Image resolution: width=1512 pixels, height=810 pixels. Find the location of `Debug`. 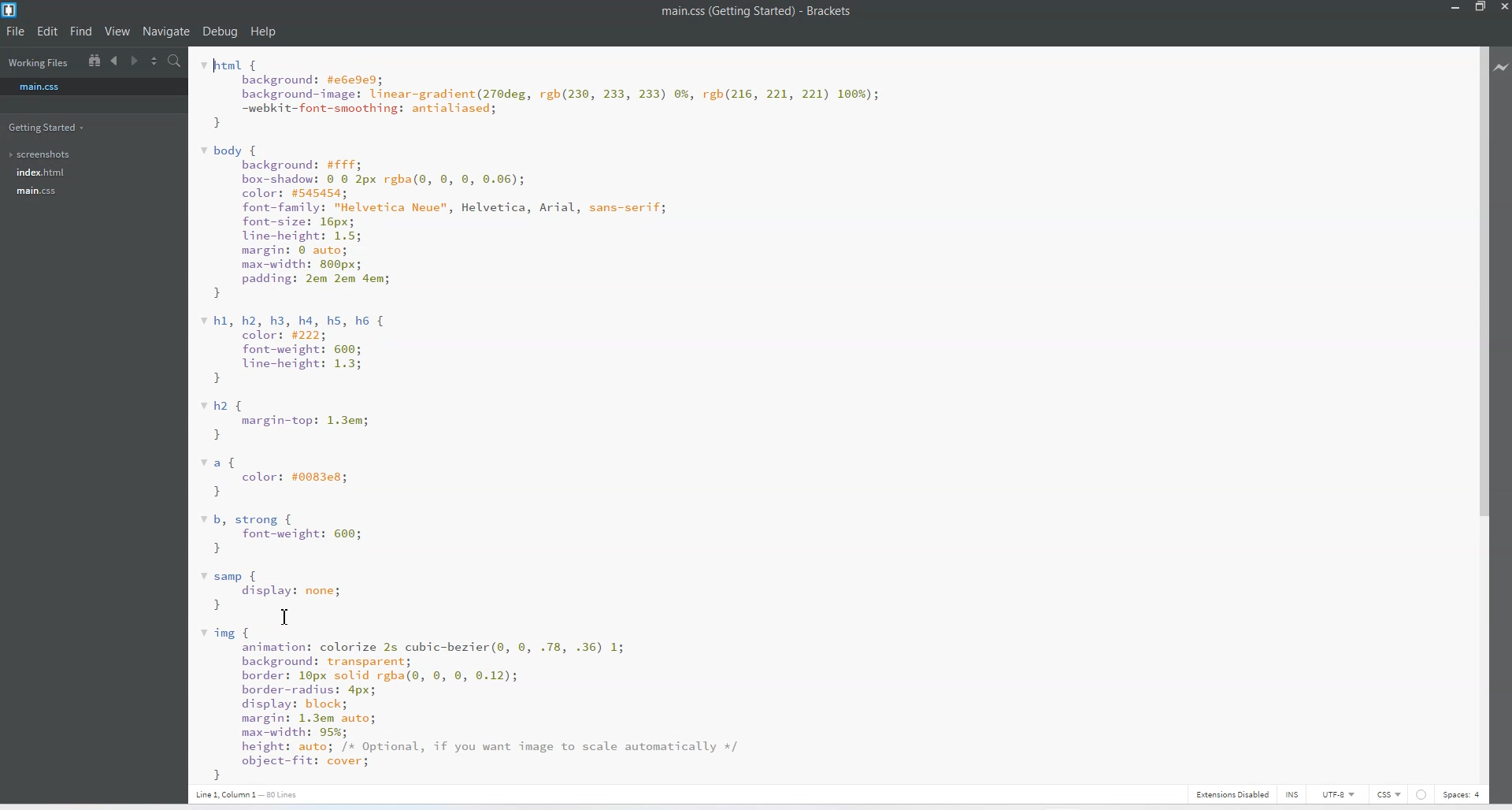

Debug is located at coordinates (220, 32).